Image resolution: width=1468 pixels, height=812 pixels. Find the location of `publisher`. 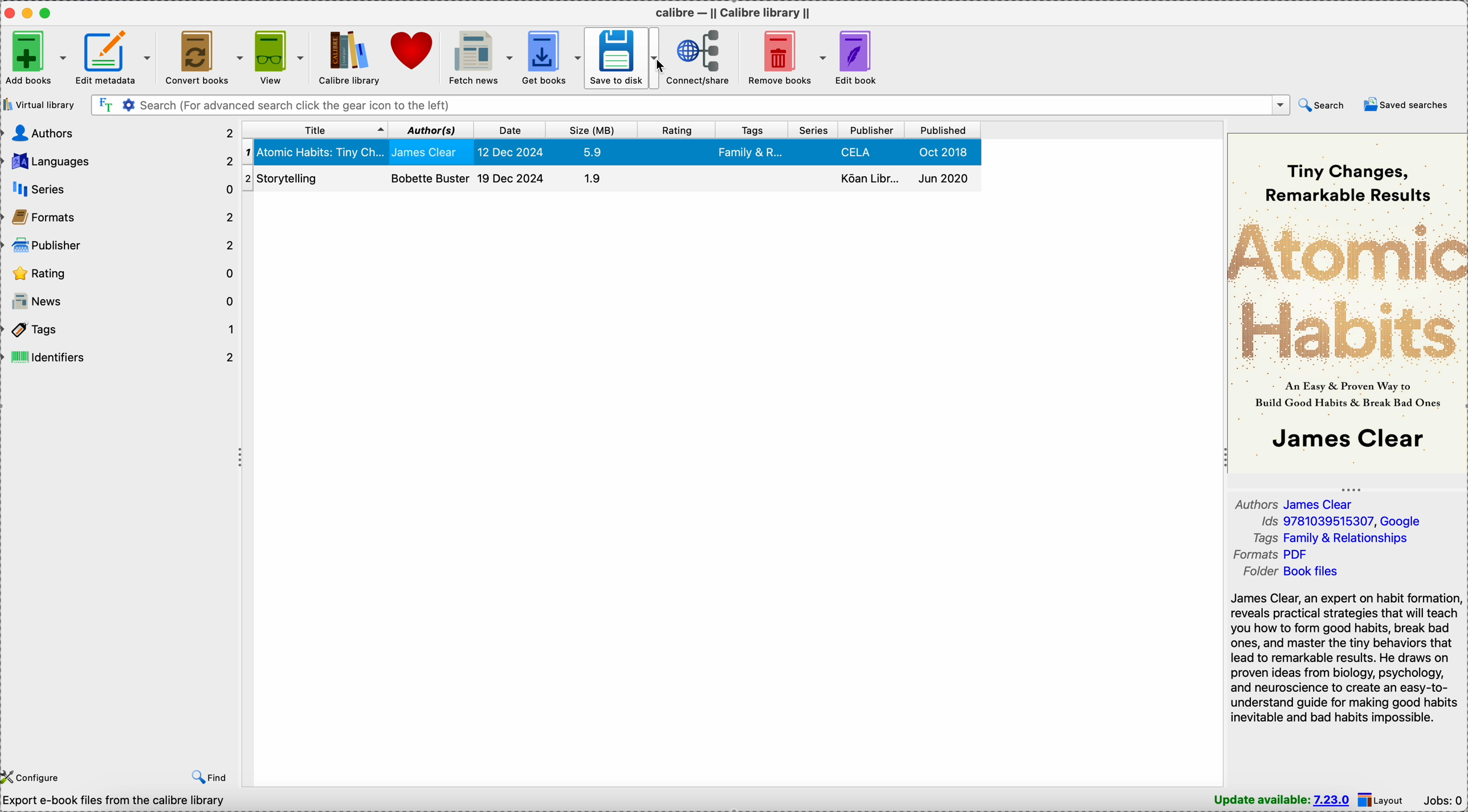

publisher is located at coordinates (122, 246).